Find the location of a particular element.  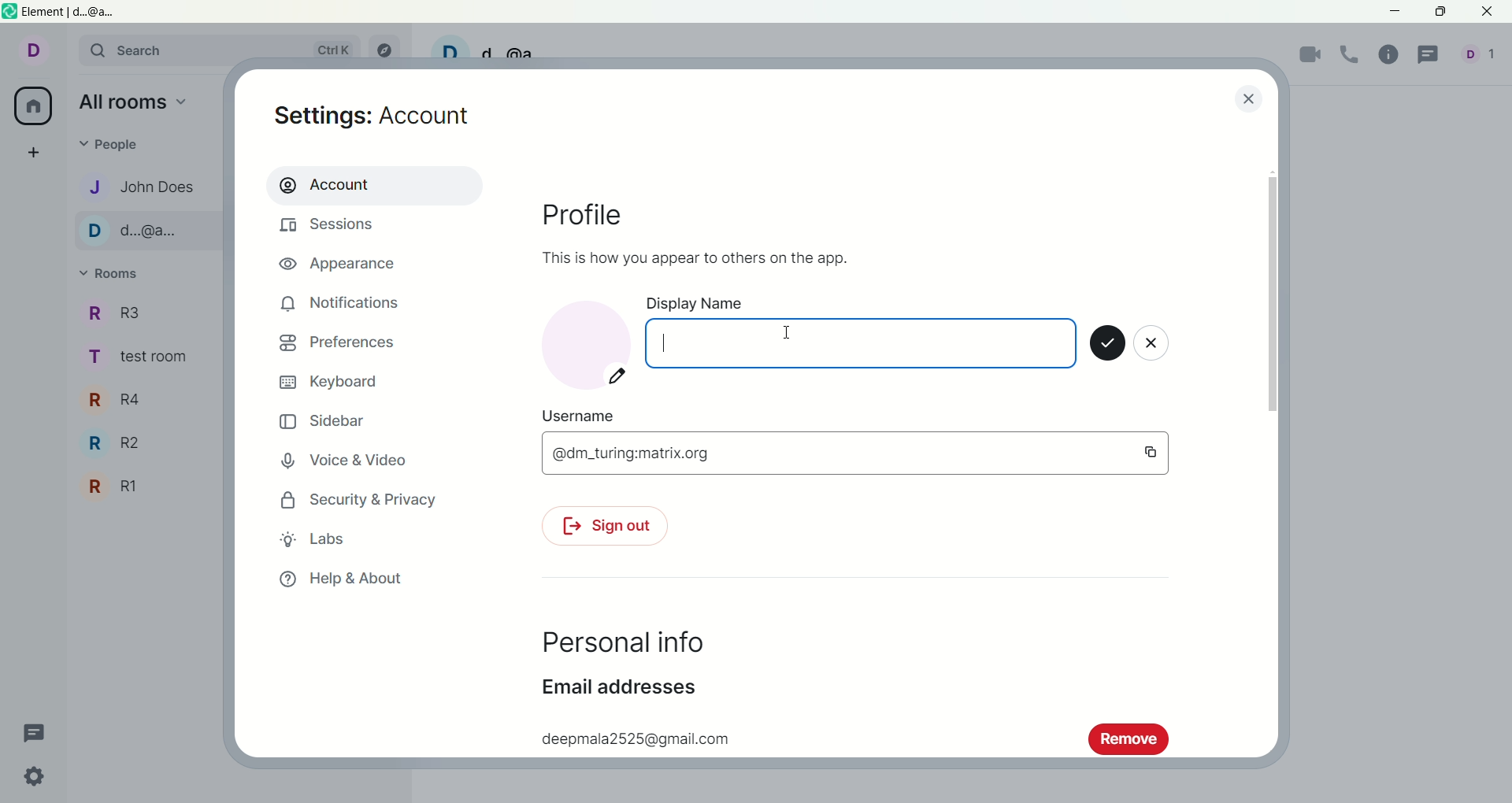

D..@a.. is located at coordinates (140, 232).